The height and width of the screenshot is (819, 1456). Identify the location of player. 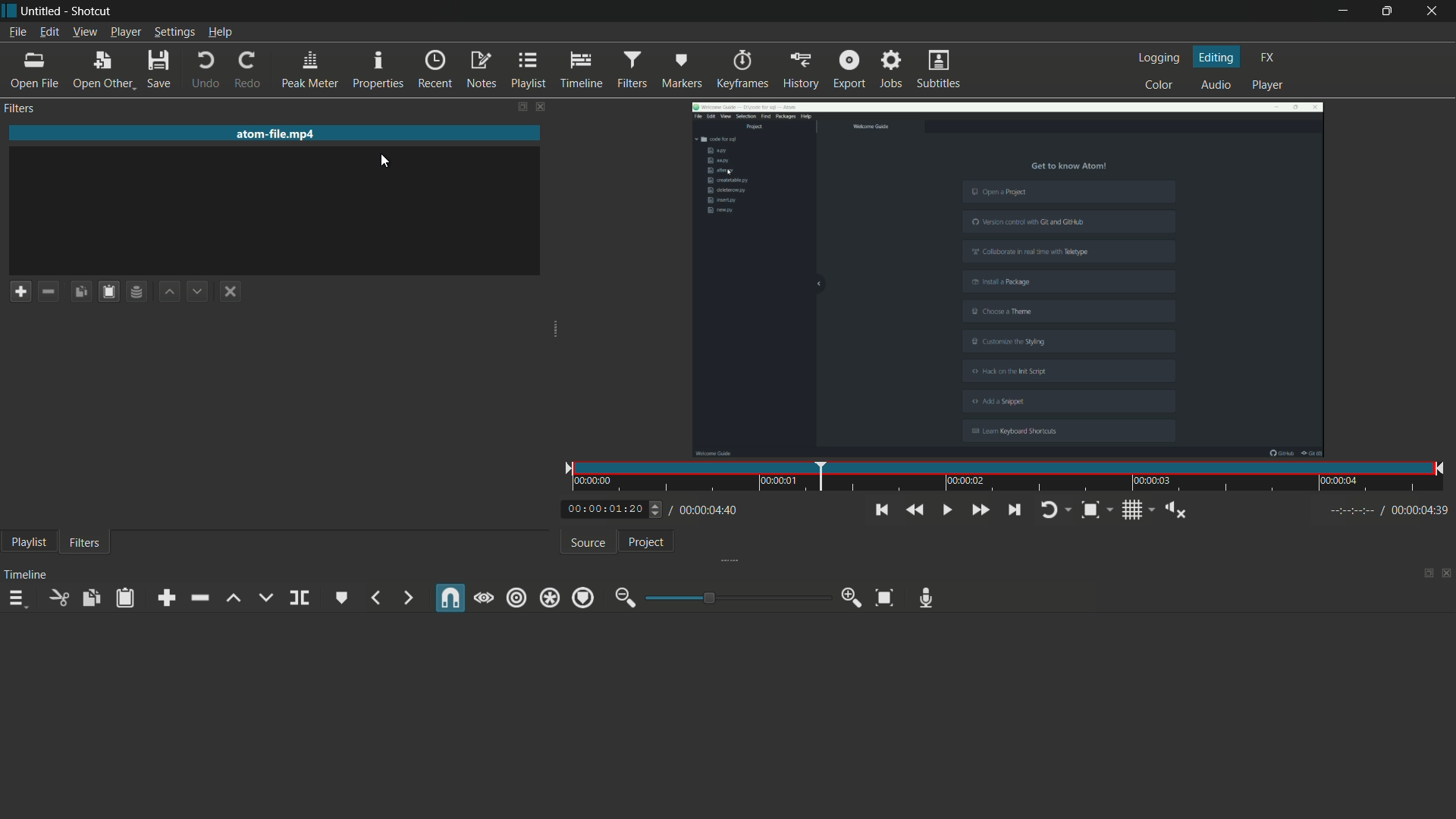
(1269, 85).